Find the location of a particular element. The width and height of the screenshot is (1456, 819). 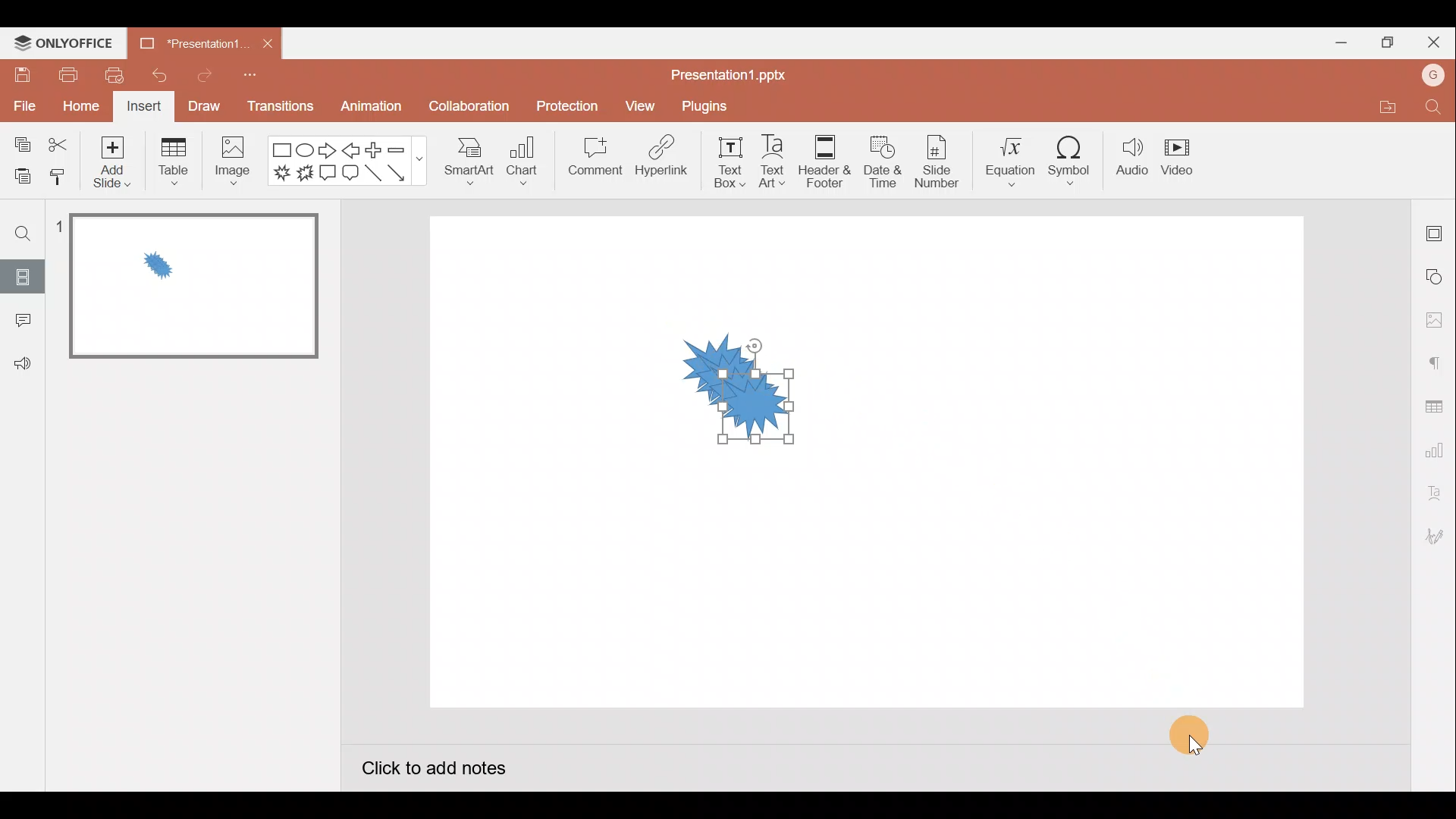

Signature settings is located at coordinates (1437, 537).